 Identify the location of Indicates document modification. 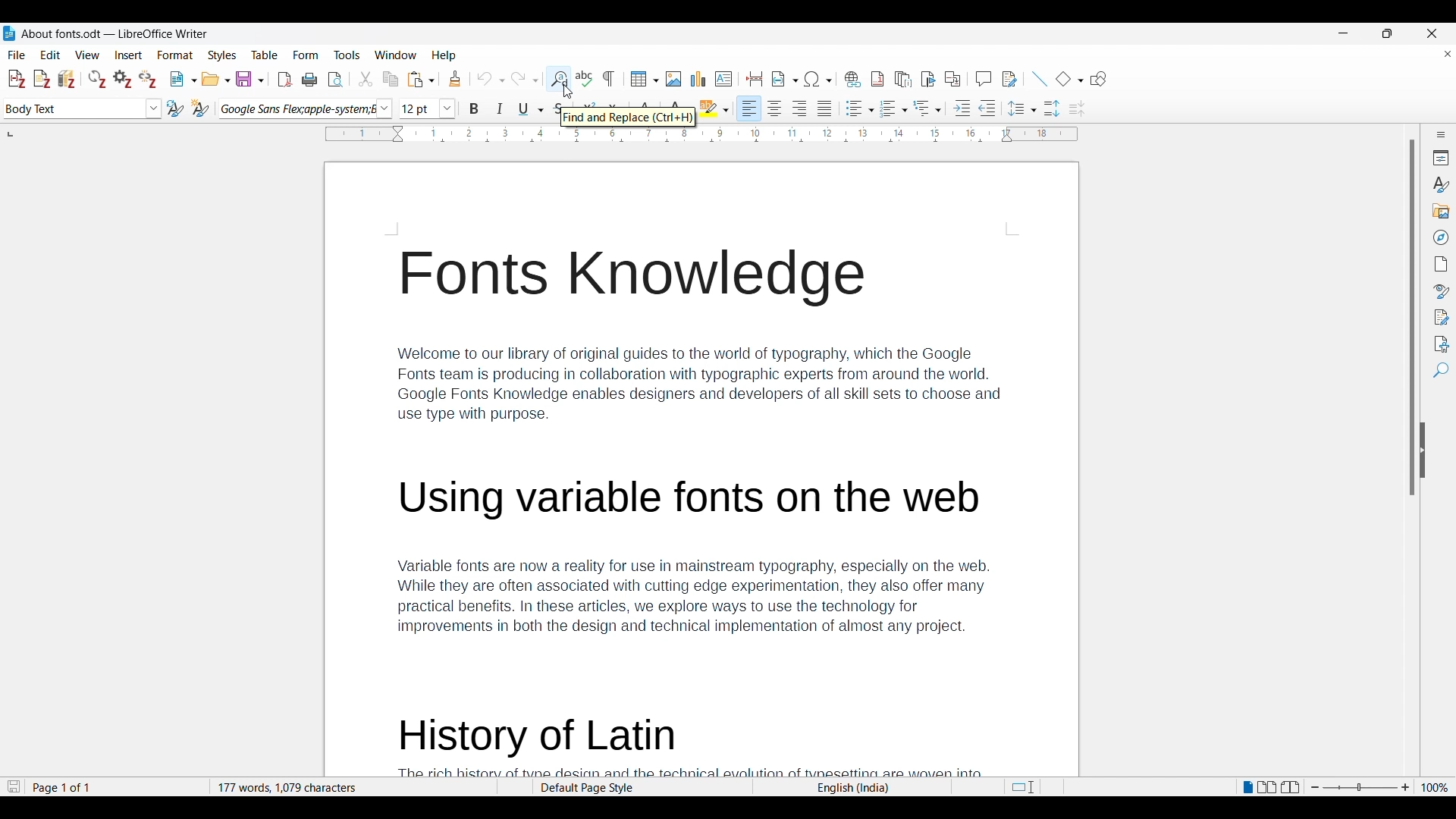
(14, 787).